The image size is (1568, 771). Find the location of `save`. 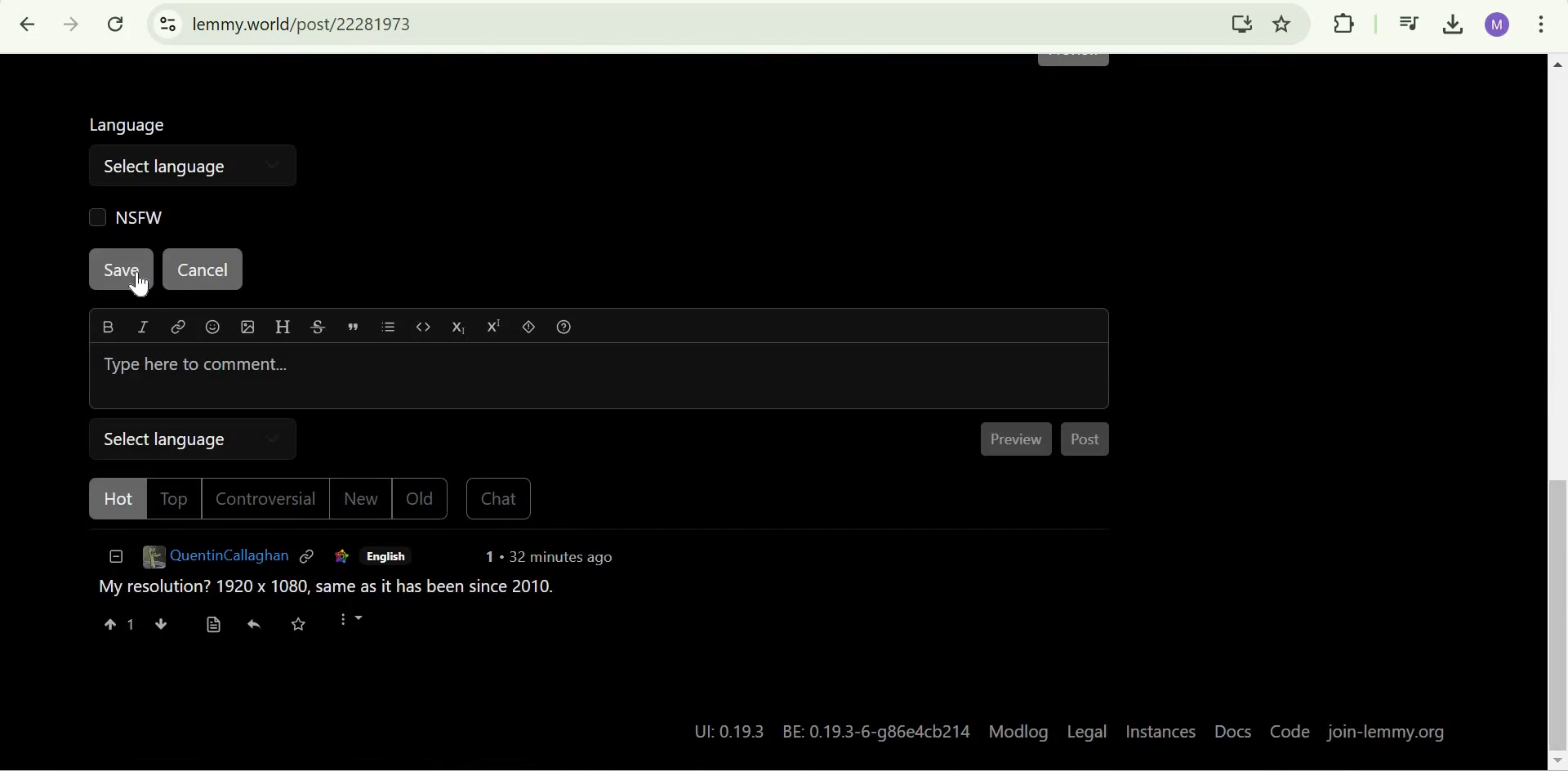

save is located at coordinates (307, 626).